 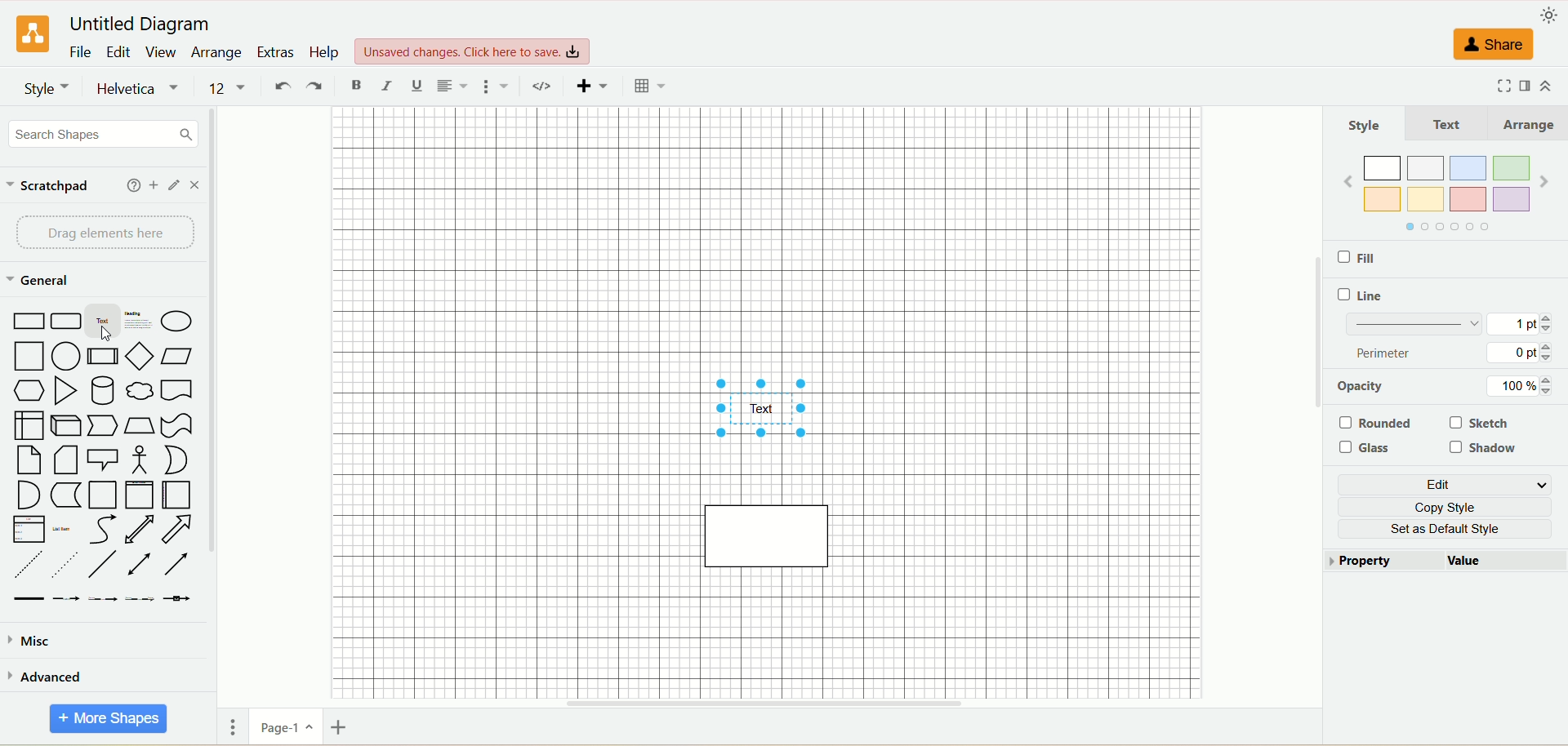 What do you see at coordinates (1368, 127) in the screenshot?
I see `style` at bounding box center [1368, 127].